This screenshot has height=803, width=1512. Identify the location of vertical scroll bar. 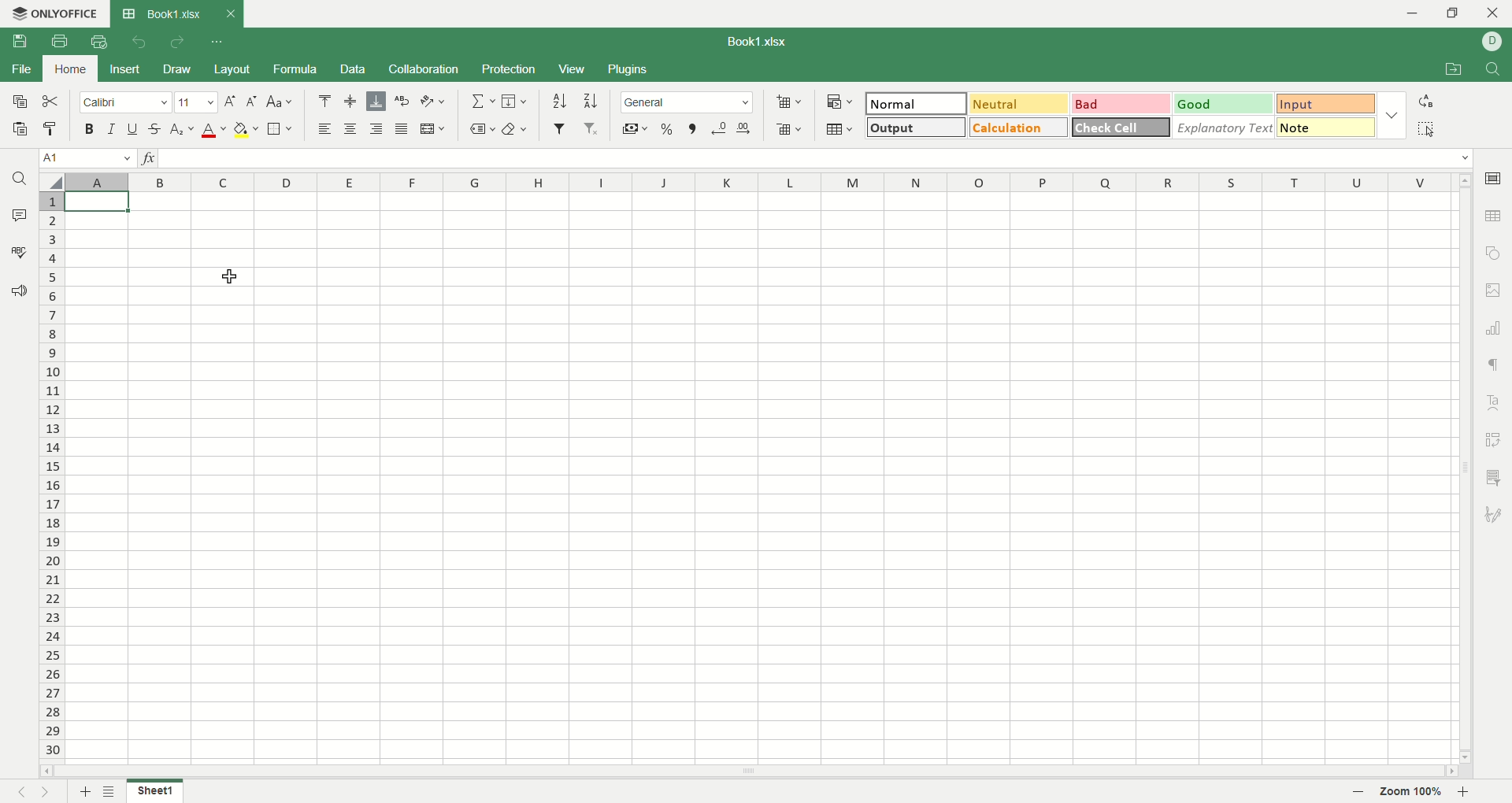
(1463, 471).